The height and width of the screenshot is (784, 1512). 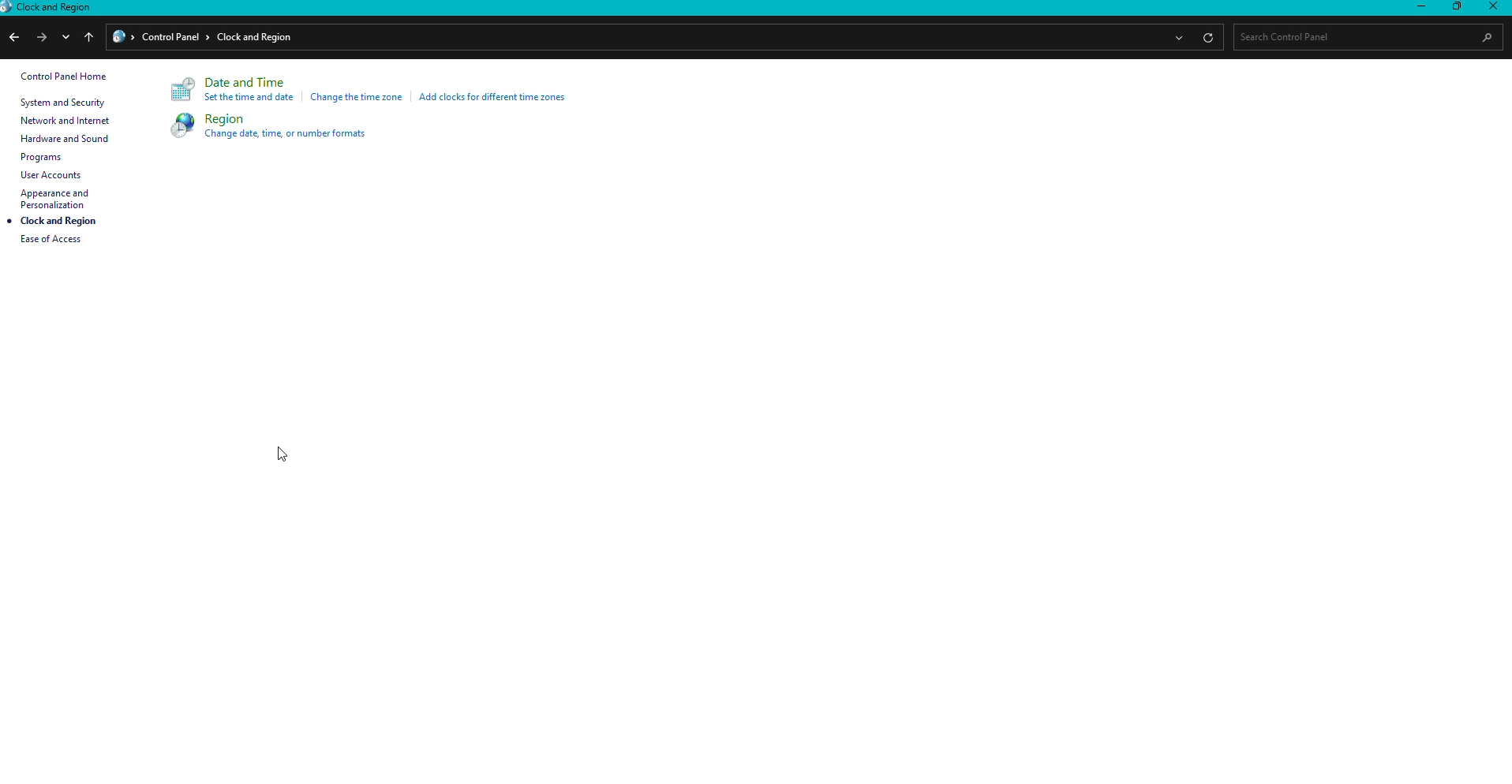 What do you see at coordinates (225, 119) in the screenshot?
I see `Region` at bounding box center [225, 119].